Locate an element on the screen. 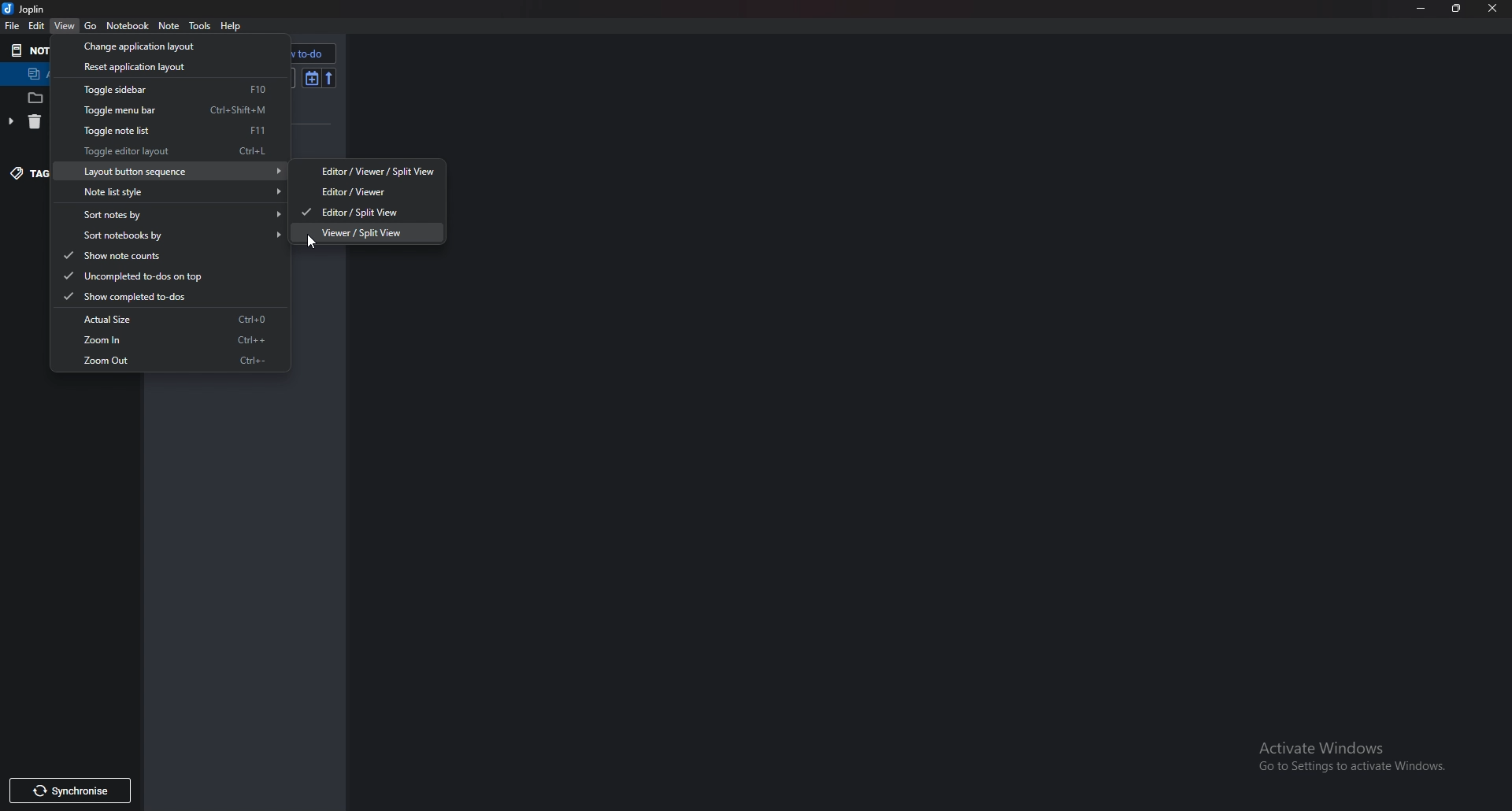 This screenshot has width=1512, height=811. Go is located at coordinates (91, 26).